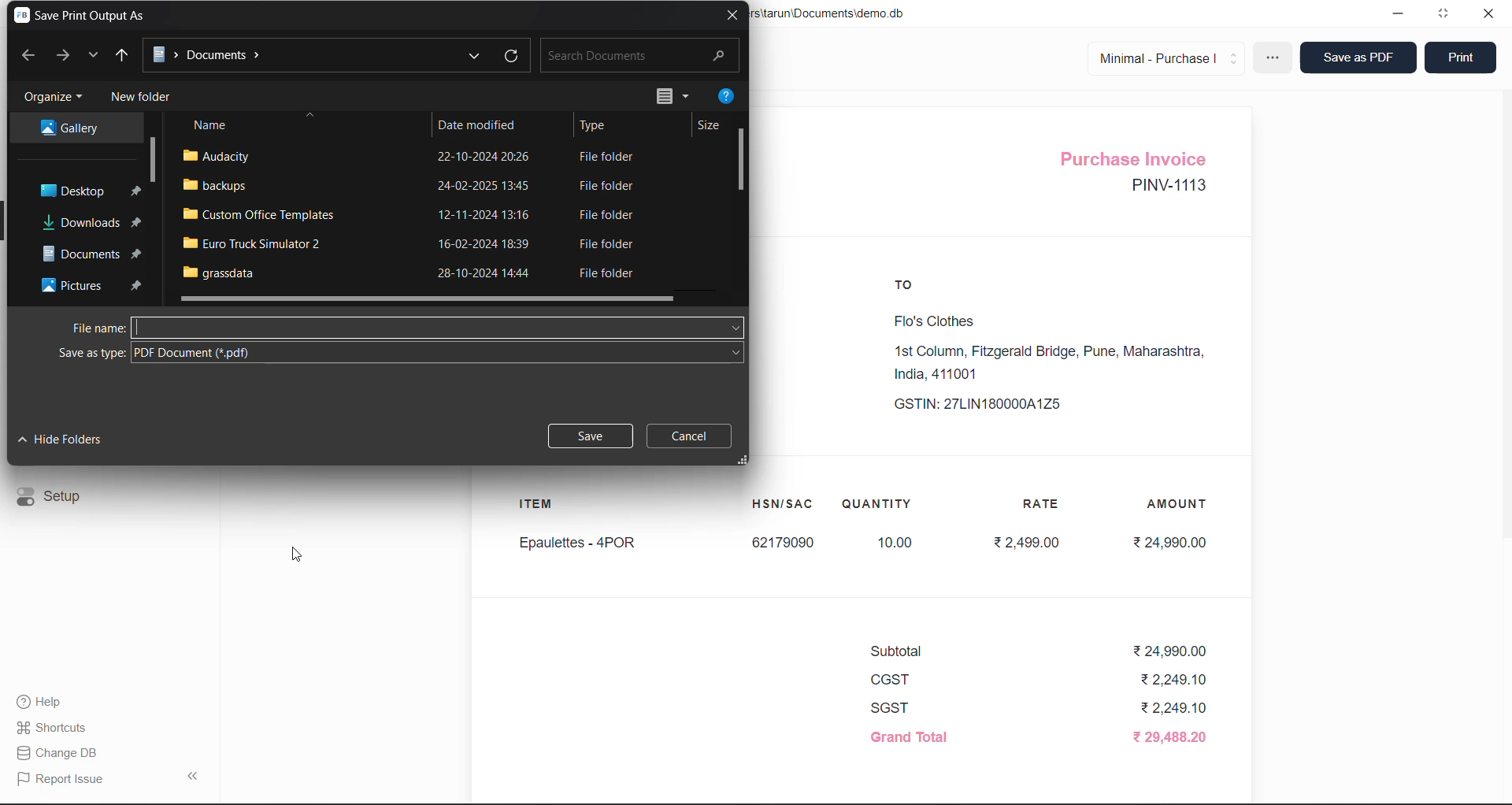 The height and width of the screenshot is (805, 1512). Describe the element at coordinates (51, 98) in the screenshot. I see `Organize ` at that location.